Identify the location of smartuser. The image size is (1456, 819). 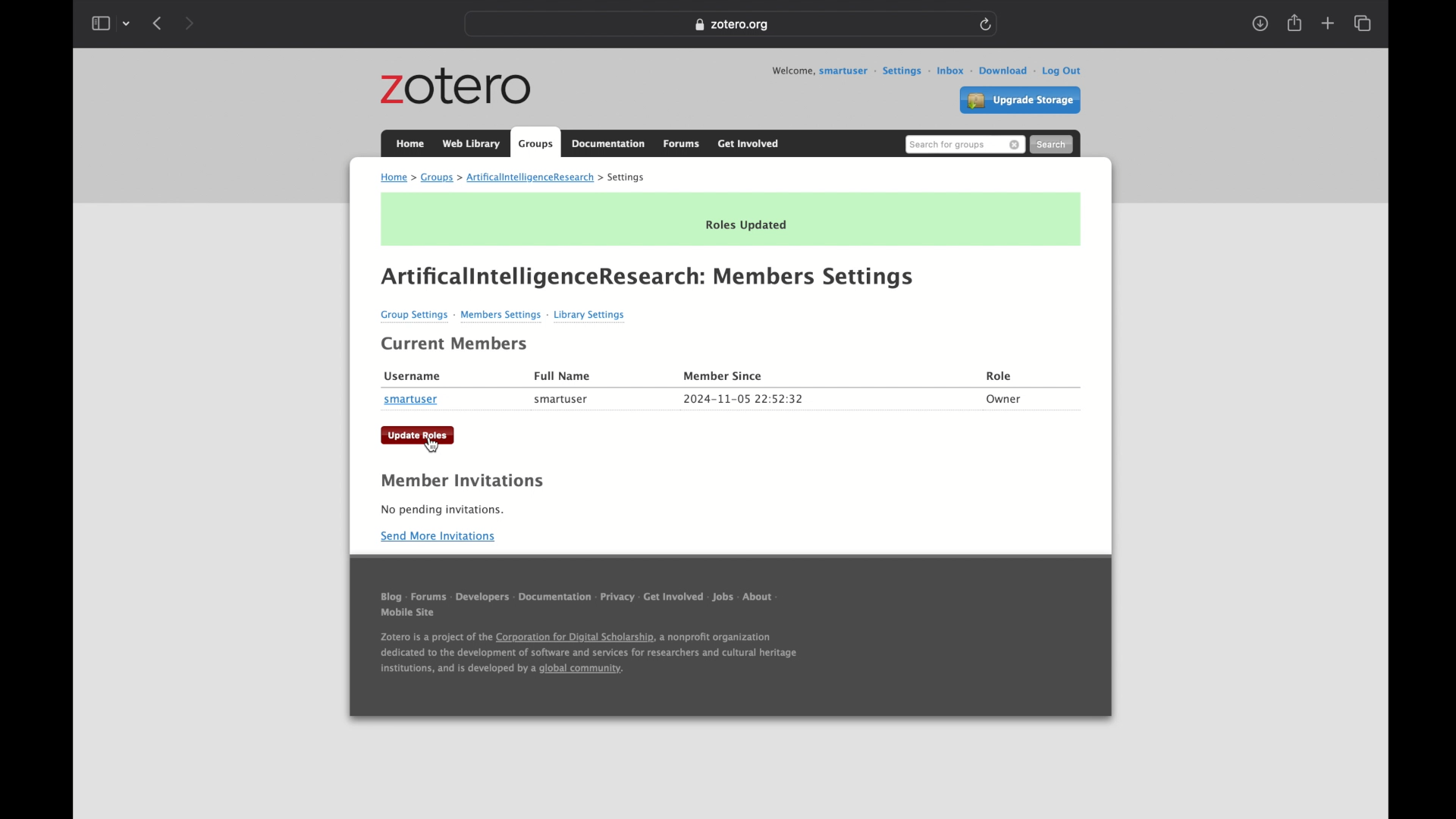
(413, 403).